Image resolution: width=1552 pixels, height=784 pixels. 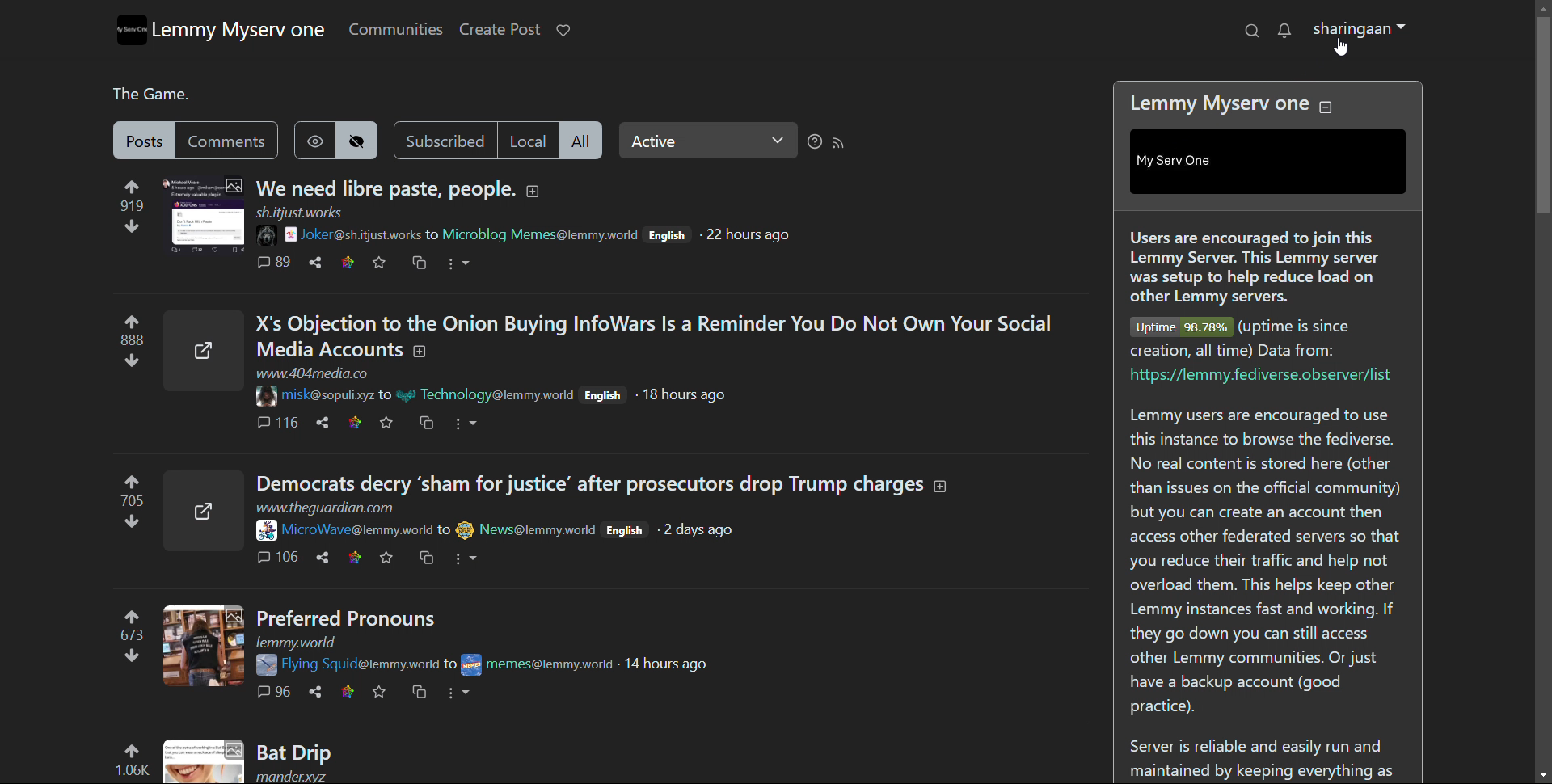 I want to click on time of posting, so click(x=704, y=530).